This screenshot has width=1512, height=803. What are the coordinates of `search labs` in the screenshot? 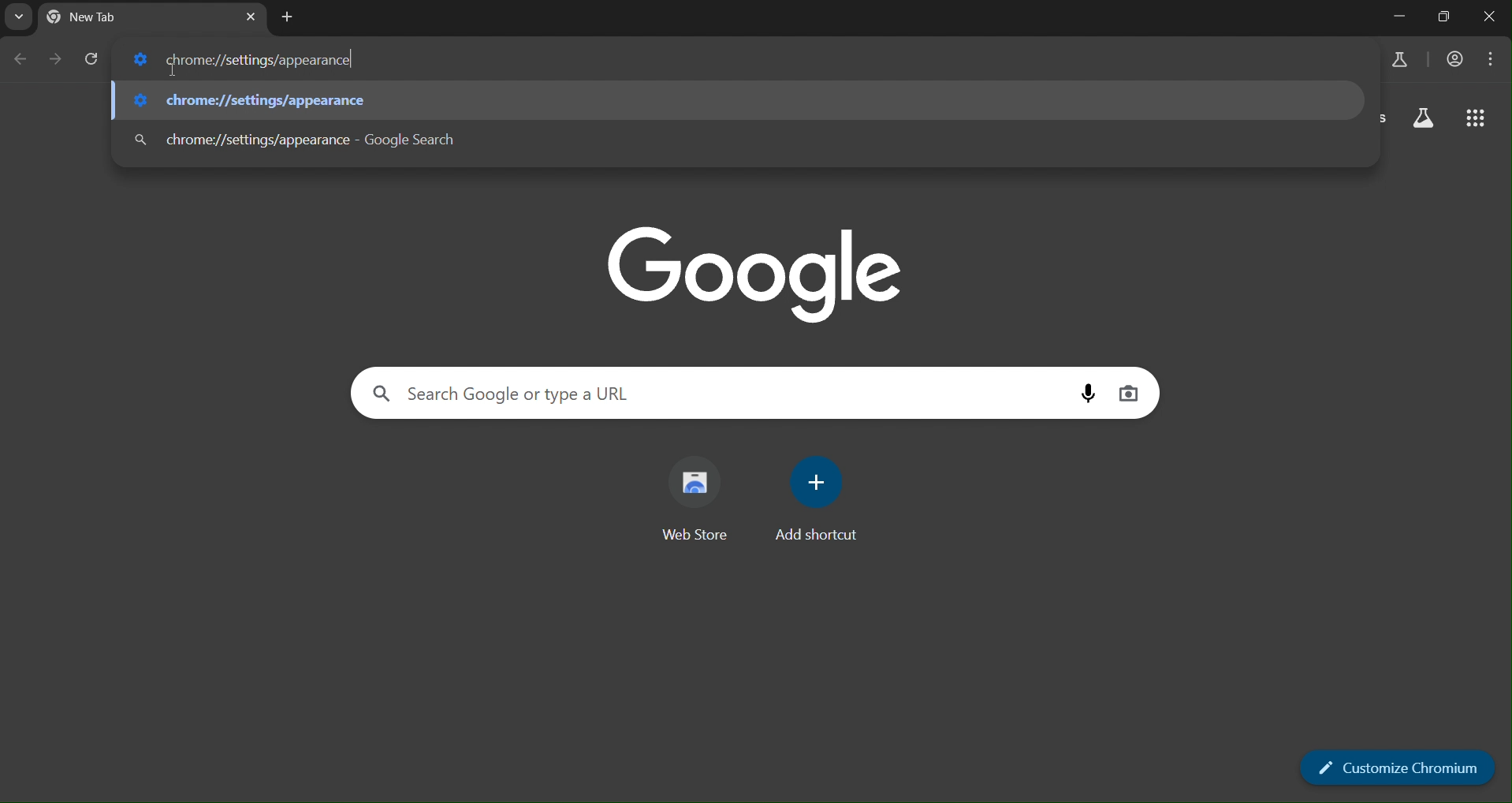 It's located at (1426, 119).